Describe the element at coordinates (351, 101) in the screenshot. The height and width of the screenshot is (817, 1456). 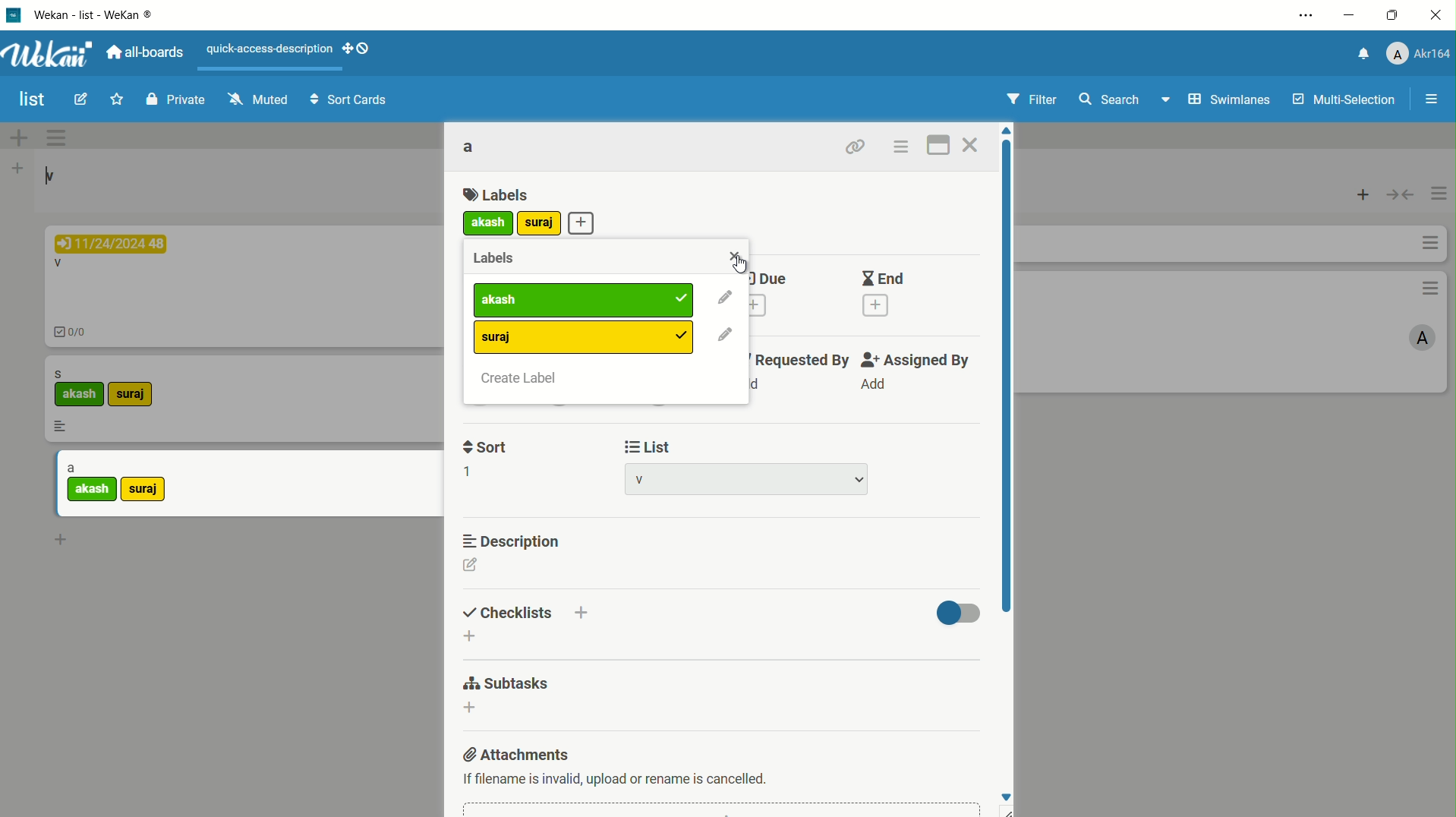
I see `sort cards` at that location.